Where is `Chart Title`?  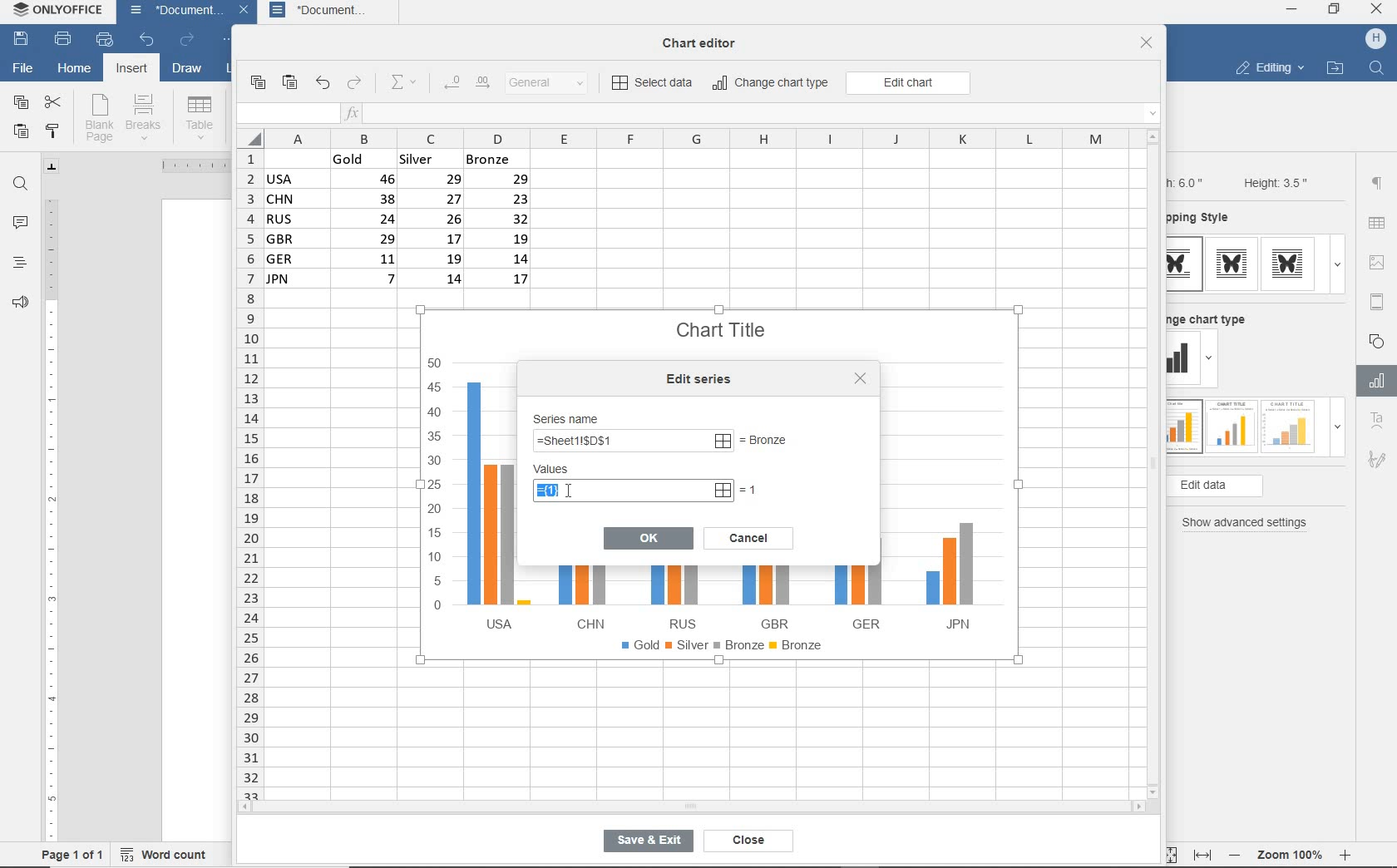
Chart Title is located at coordinates (723, 321).